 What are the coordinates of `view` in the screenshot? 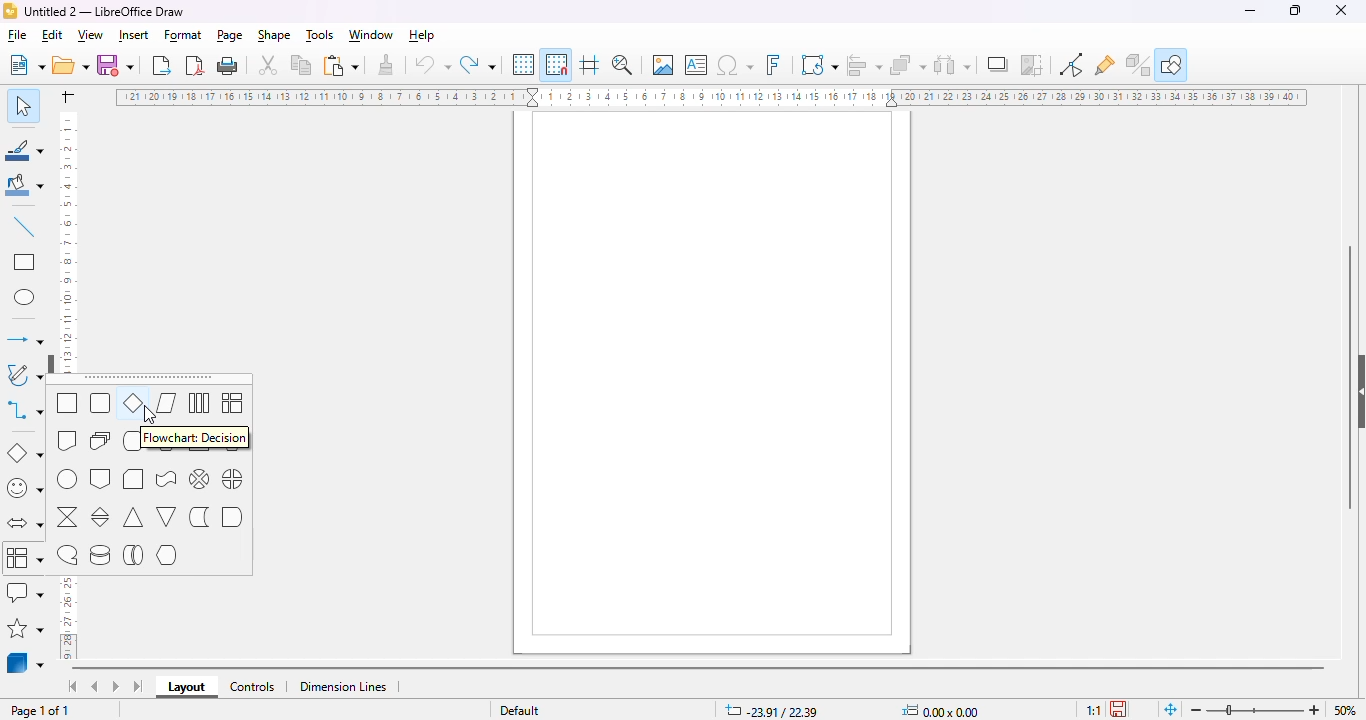 It's located at (90, 36).